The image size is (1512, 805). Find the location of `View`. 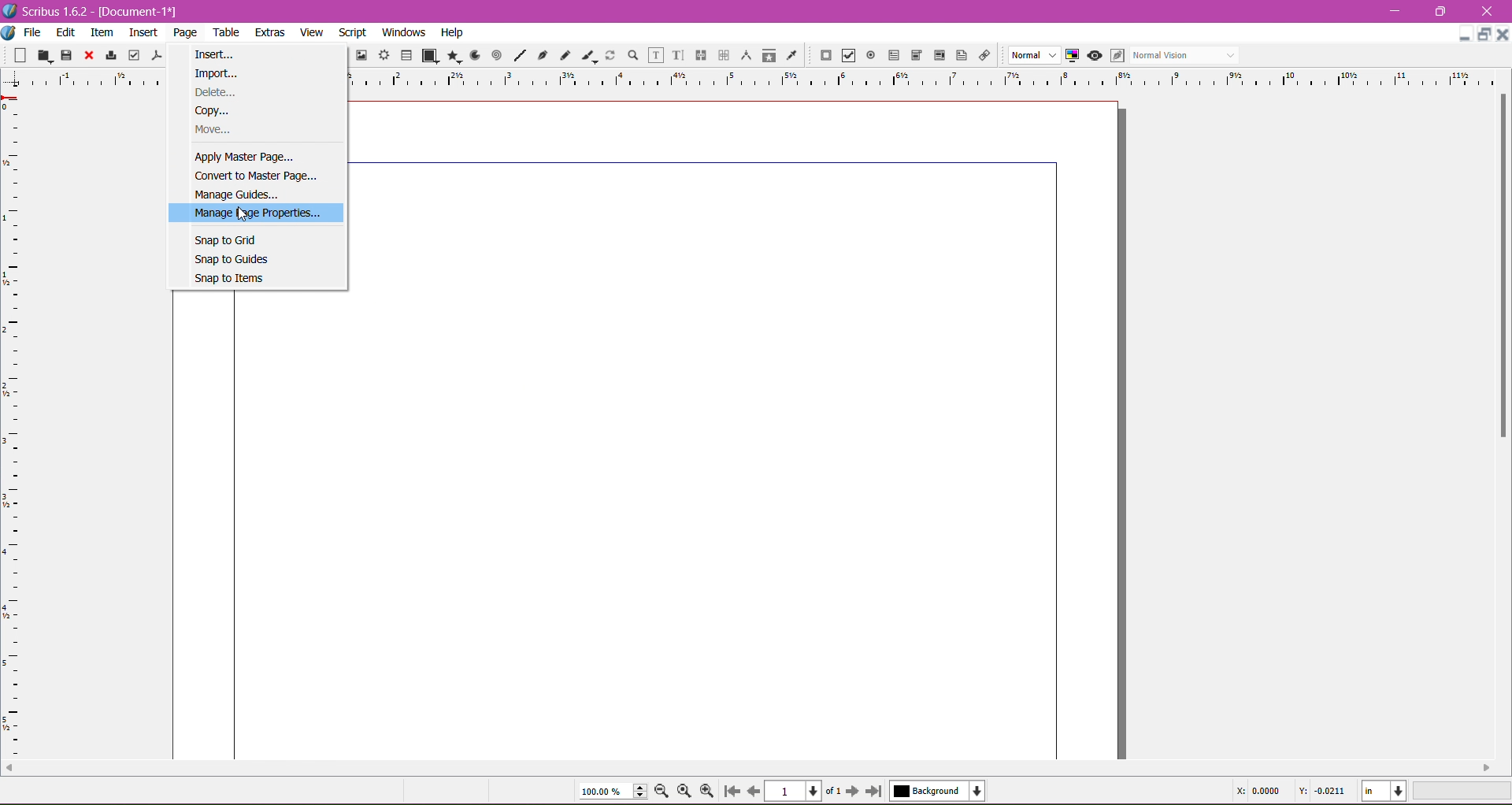

View is located at coordinates (311, 32).